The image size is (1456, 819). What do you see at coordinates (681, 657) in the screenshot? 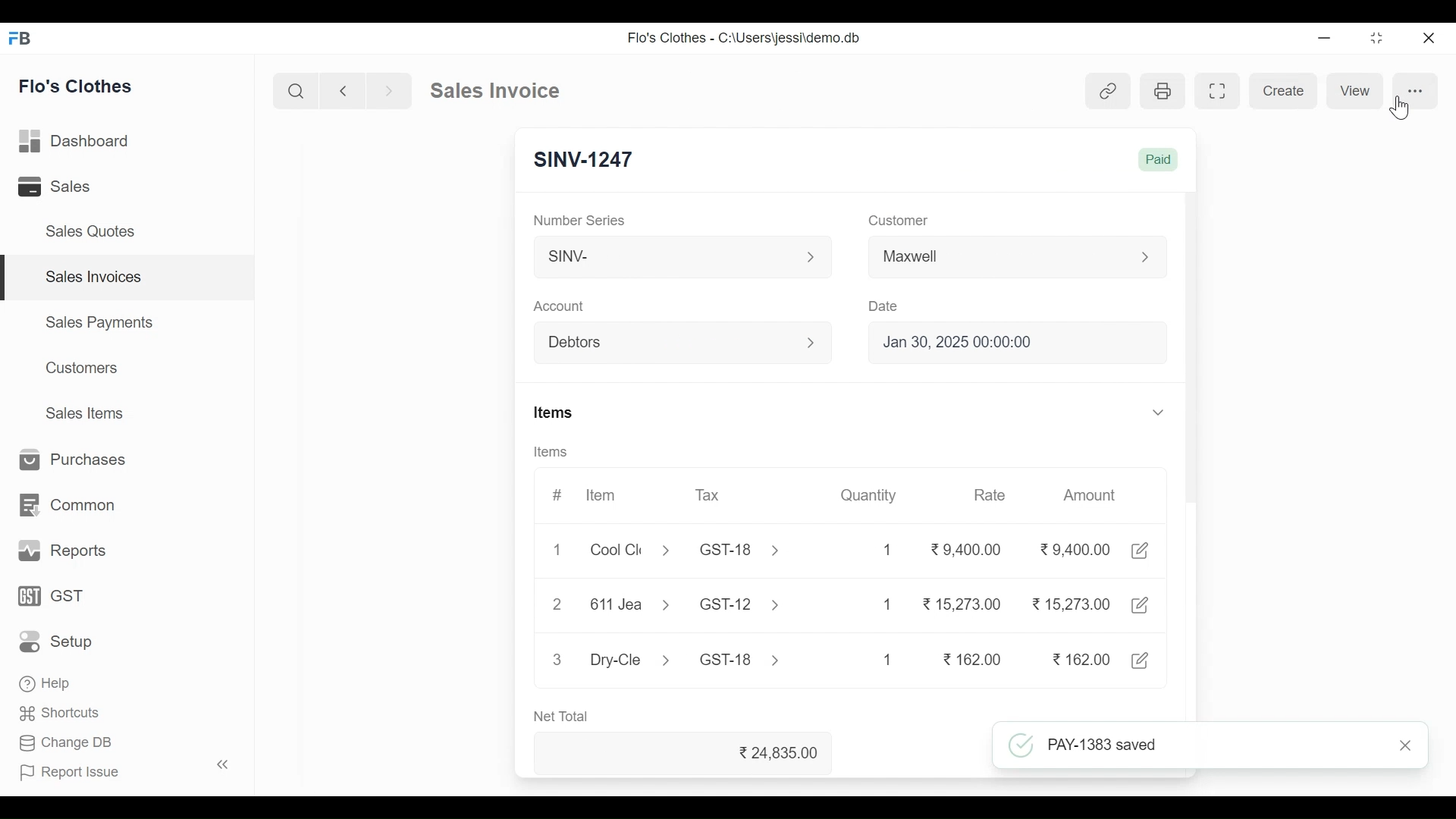
I see `Dry-Cle > GST-18 >` at bounding box center [681, 657].